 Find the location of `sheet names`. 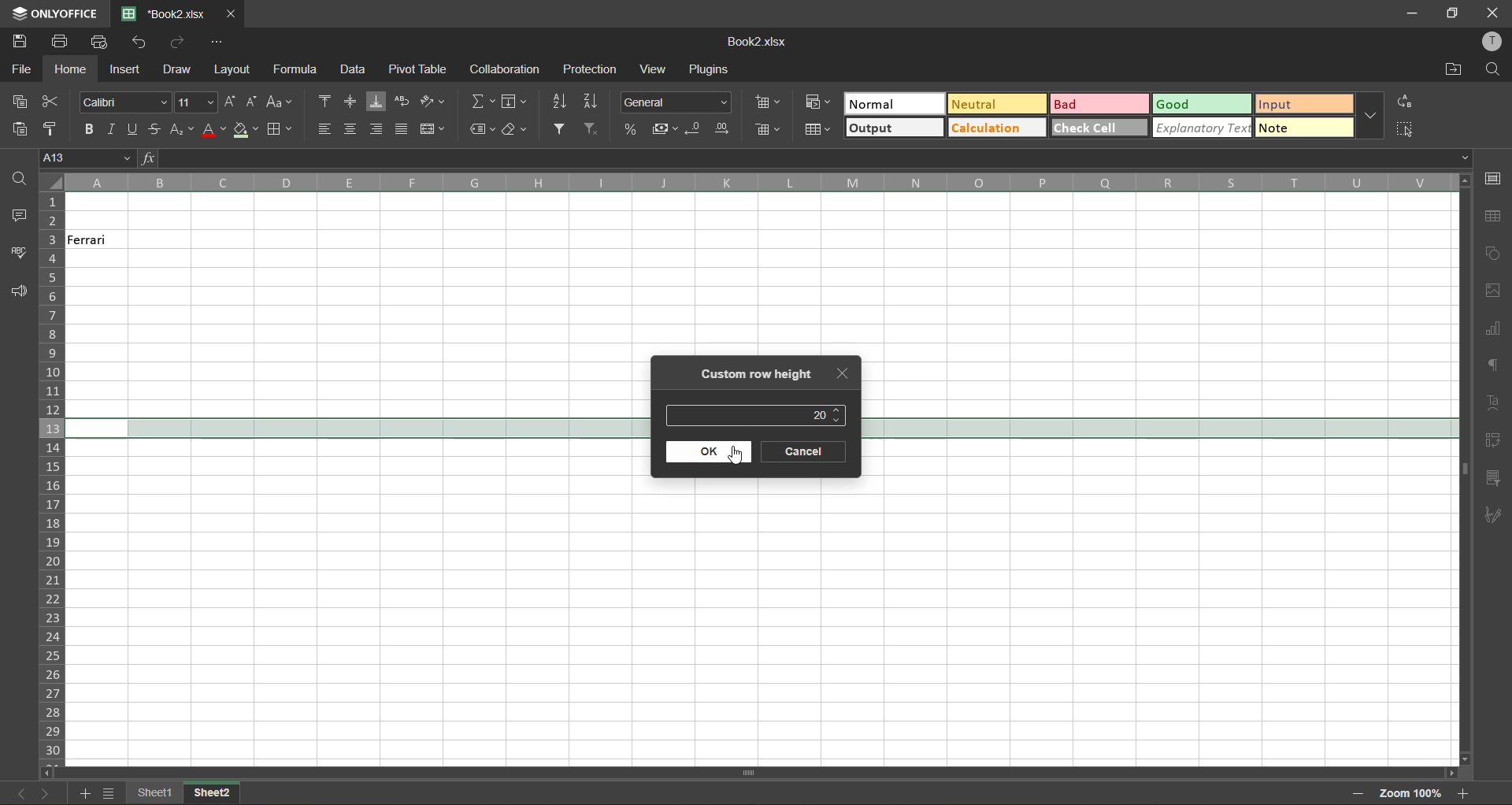

sheet names is located at coordinates (158, 793).